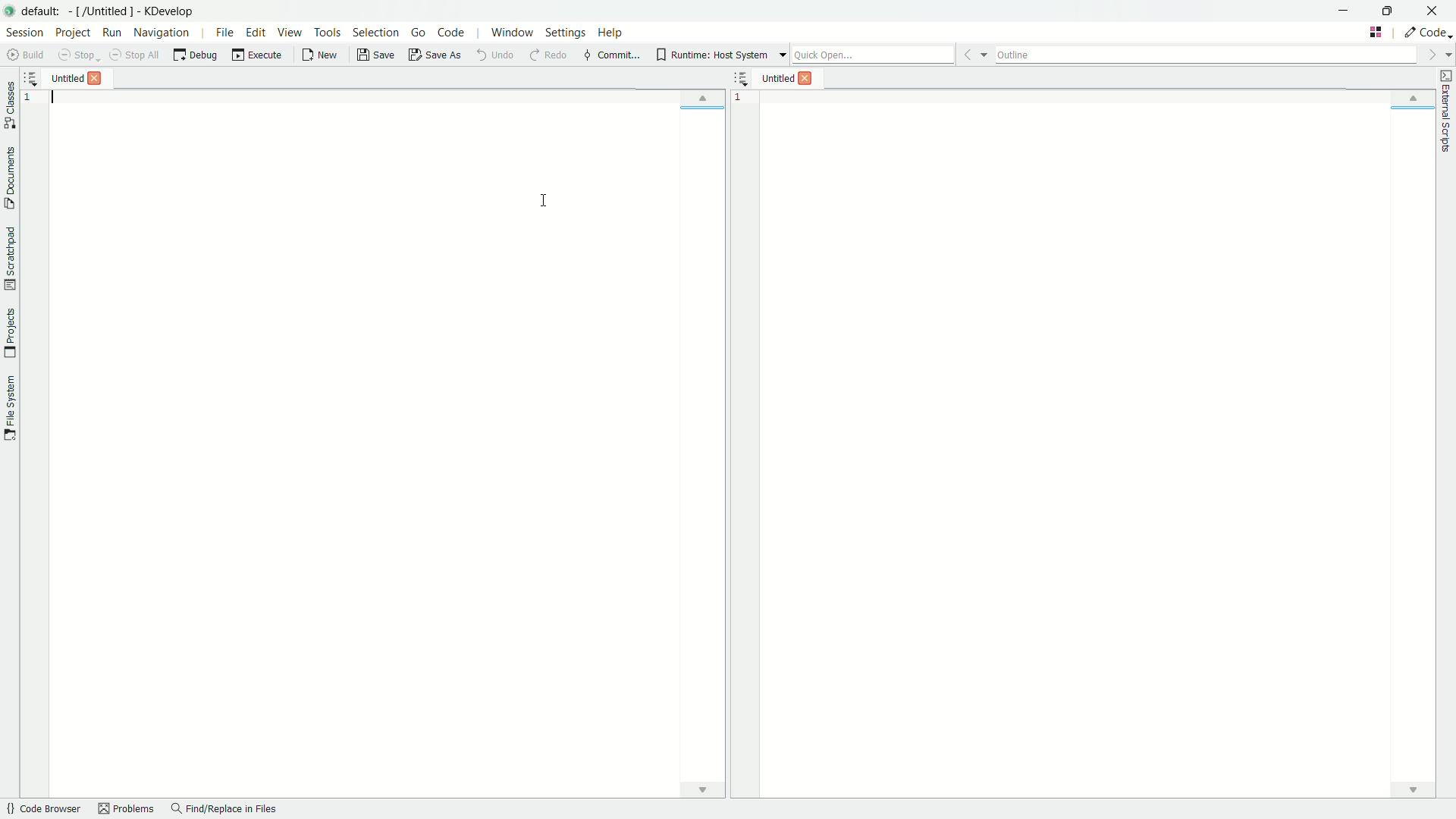 This screenshot has height=819, width=1456. Describe the element at coordinates (24, 33) in the screenshot. I see `session menu` at that location.